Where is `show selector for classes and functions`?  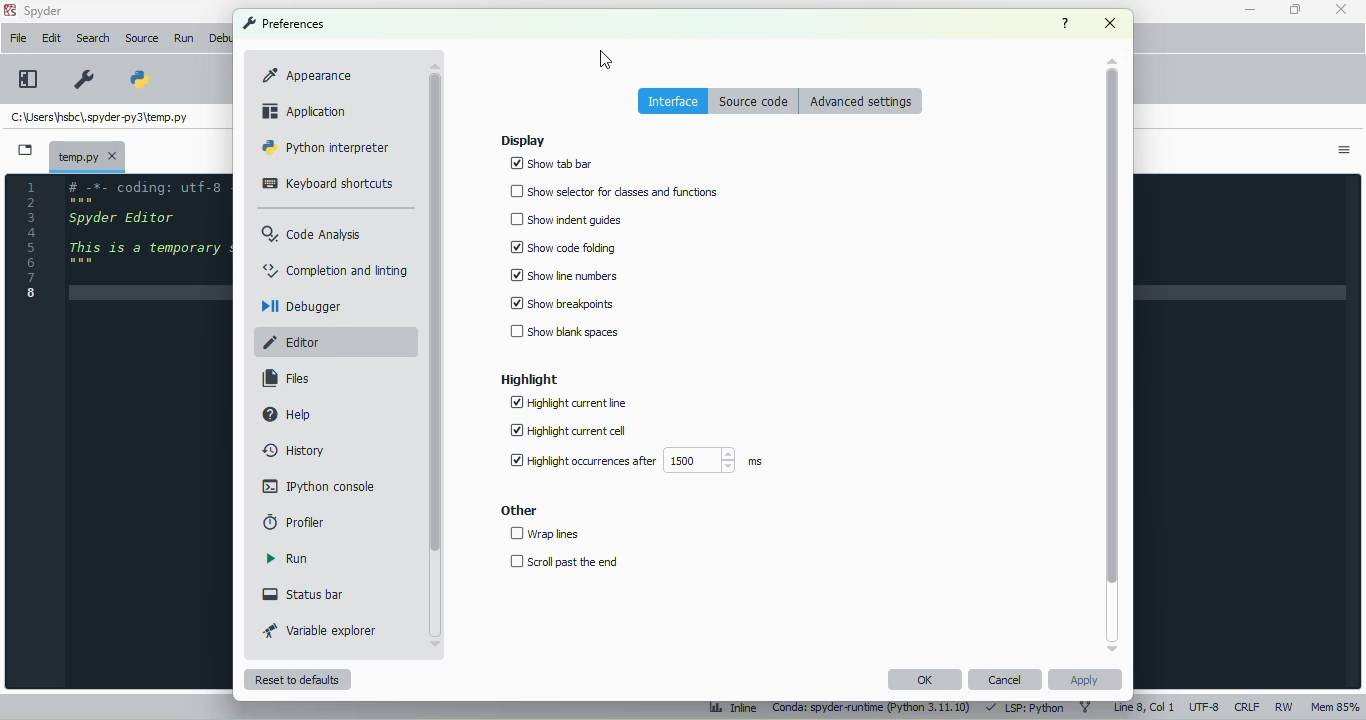 show selector for classes and functions is located at coordinates (614, 192).